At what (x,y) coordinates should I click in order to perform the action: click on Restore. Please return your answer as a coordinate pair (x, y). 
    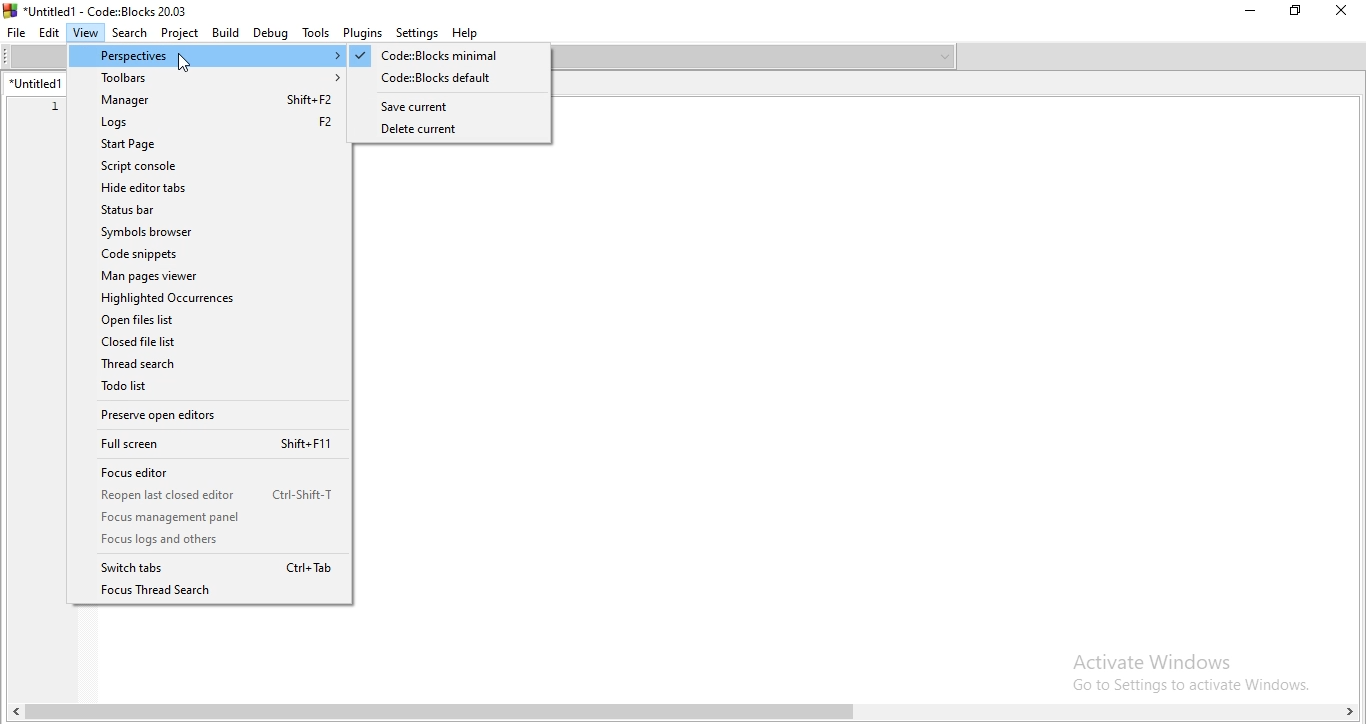
    Looking at the image, I should click on (1297, 12).